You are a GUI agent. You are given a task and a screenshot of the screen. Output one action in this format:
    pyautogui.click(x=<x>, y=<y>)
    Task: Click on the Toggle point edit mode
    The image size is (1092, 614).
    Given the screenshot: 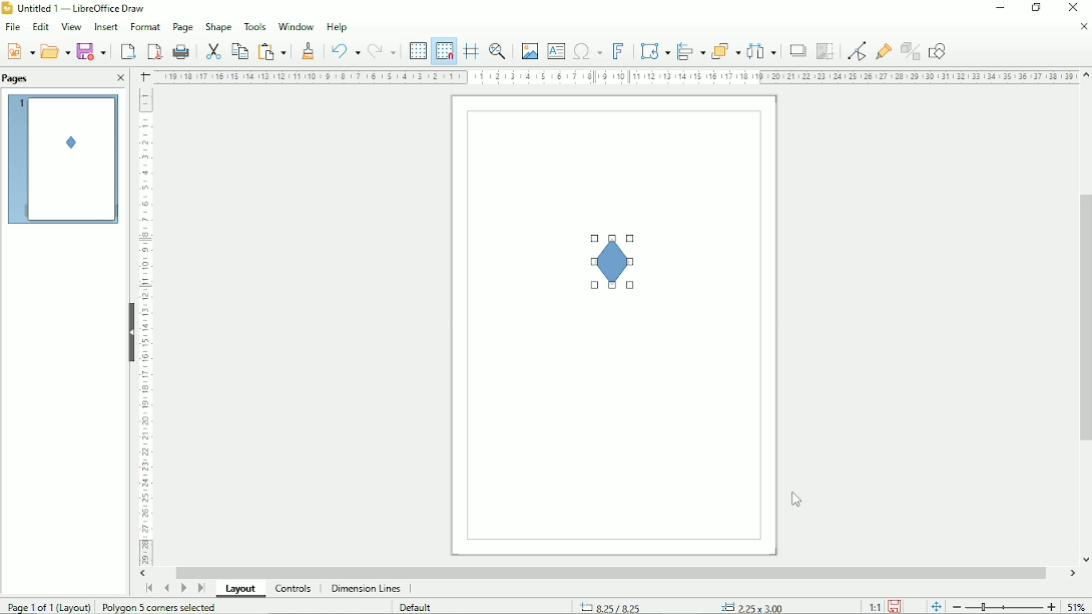 What is the action you would take?
    pyautogui.click(x=854, y=49)
    